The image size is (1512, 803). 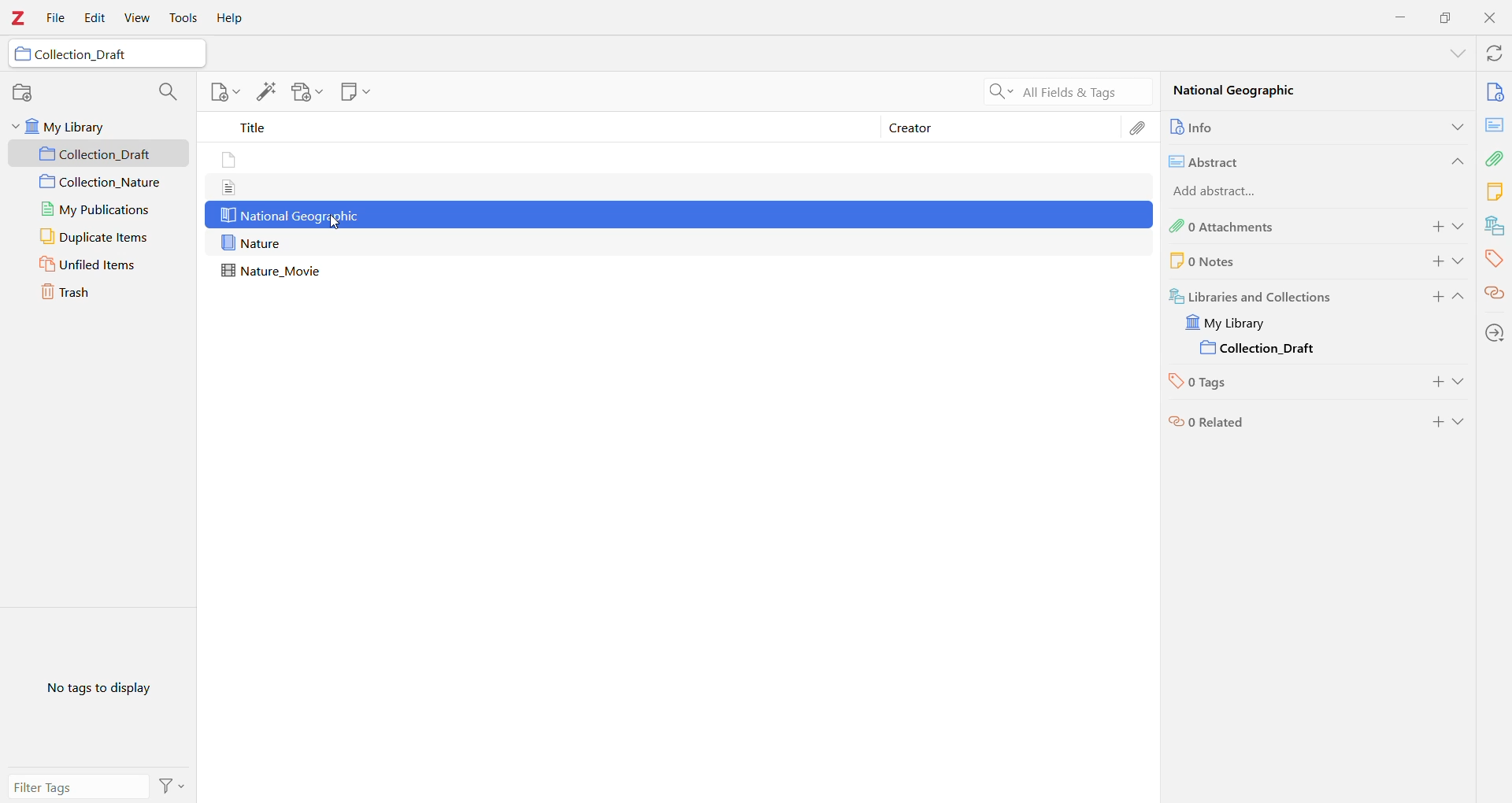 What do you see at coordinates (98, 126) in the screenshot?
I see `My Library` at bounding box center [98, 126].